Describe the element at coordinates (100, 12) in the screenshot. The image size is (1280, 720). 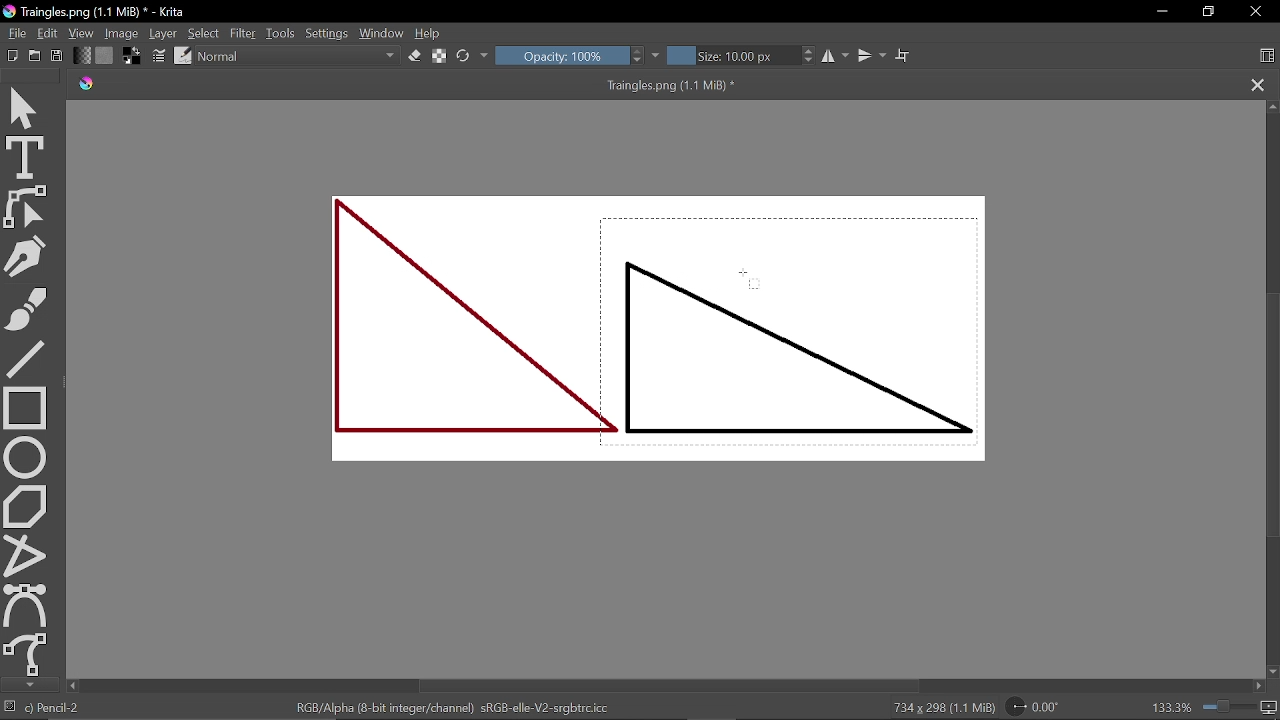
I see `Traingles.png (1.1 MiB) * - Krita` at that location.